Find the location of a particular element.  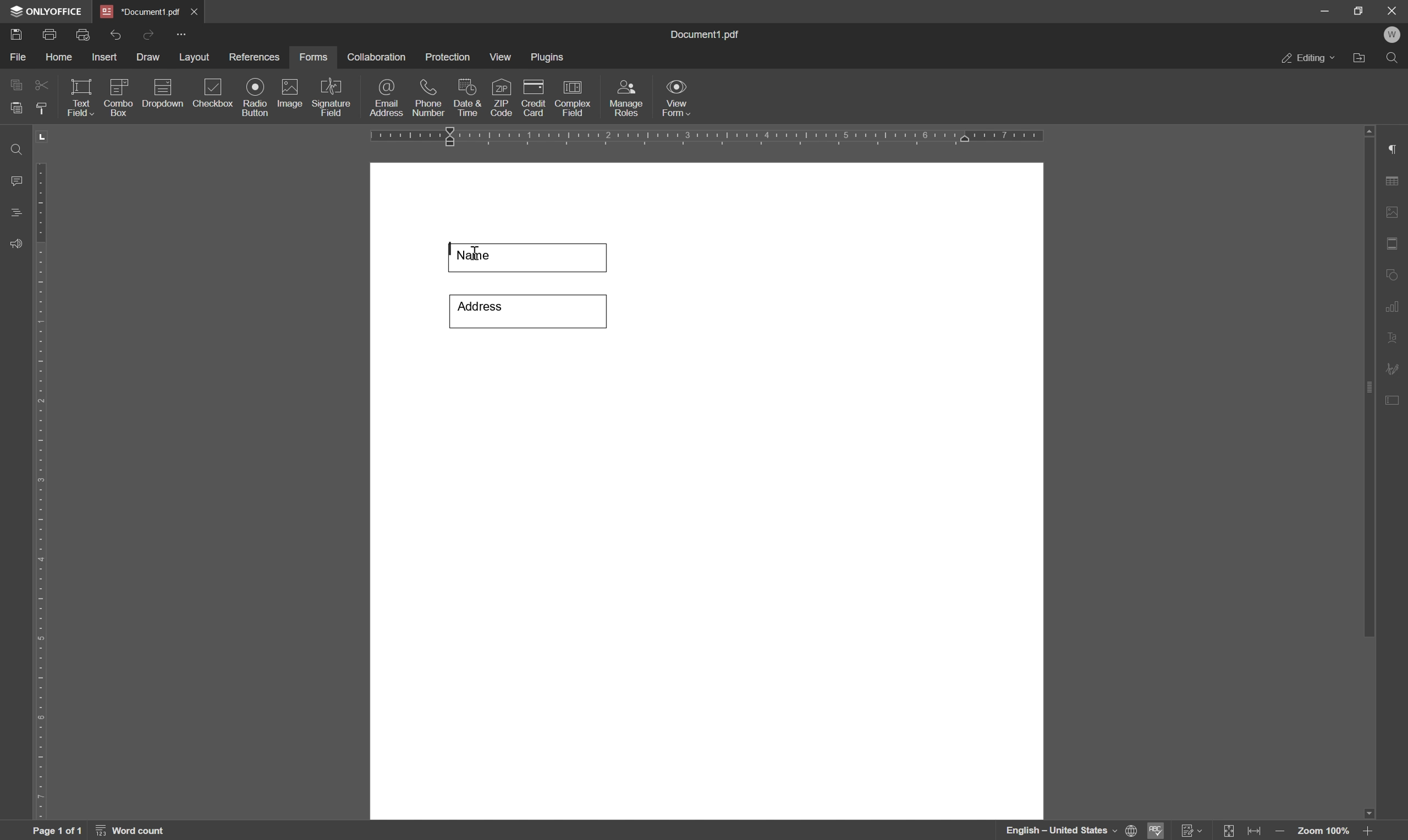

email address is located at coordinates (387, 97).